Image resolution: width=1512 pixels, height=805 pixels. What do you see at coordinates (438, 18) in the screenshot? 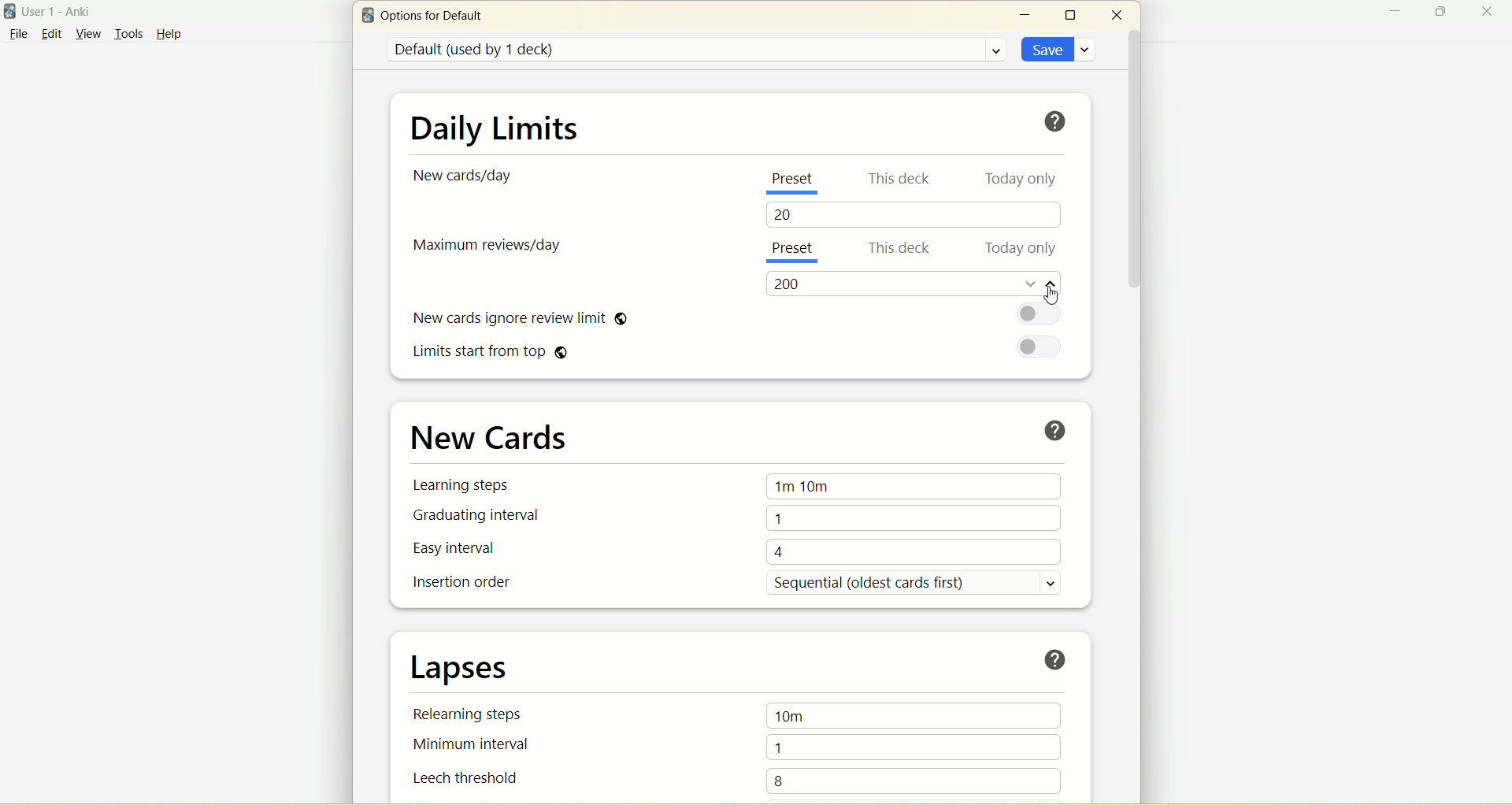
I see `options for default` at bounding box center [438, 18].